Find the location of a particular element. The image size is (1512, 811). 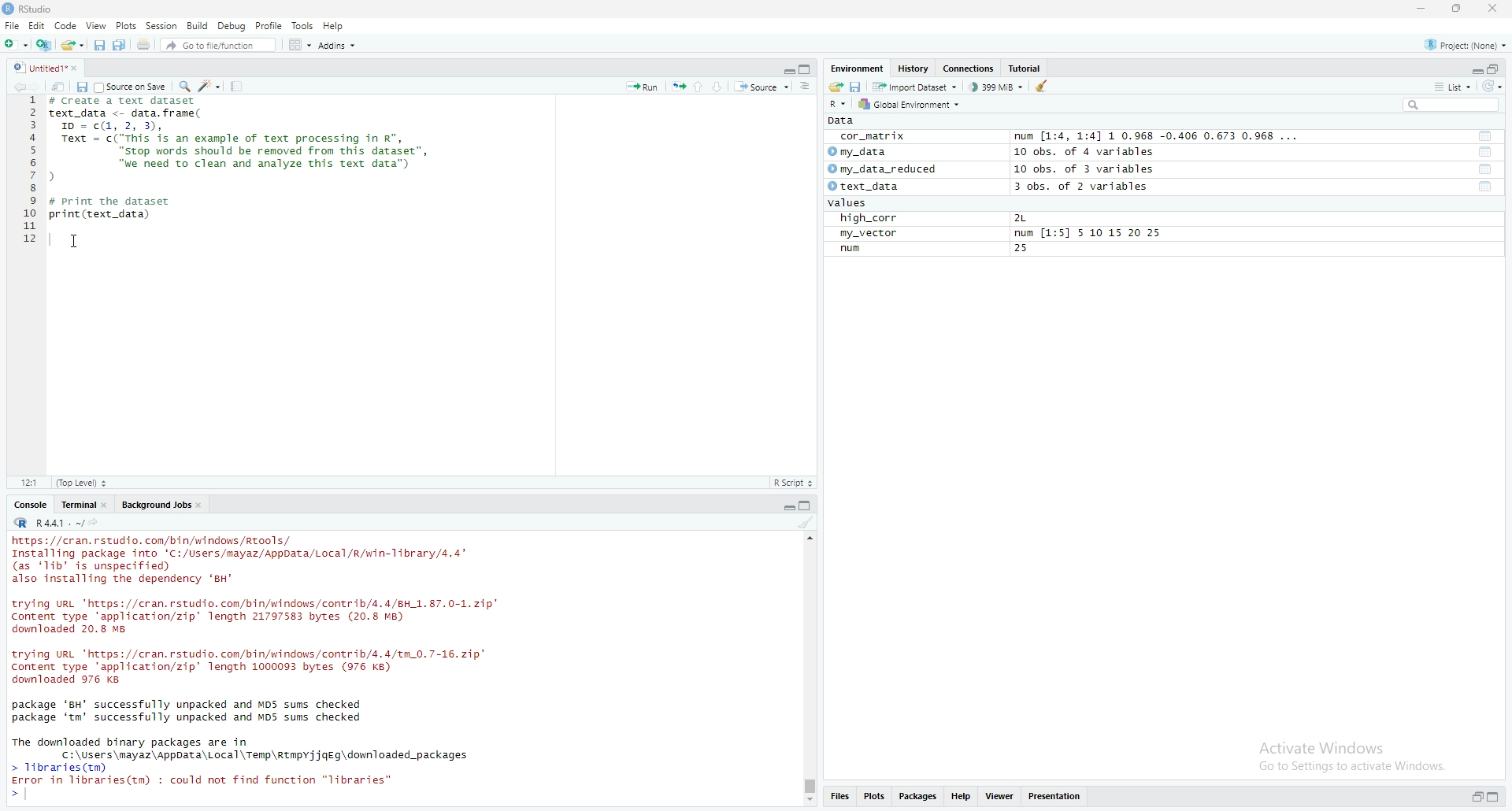

help is located at coordinates (960, 796).